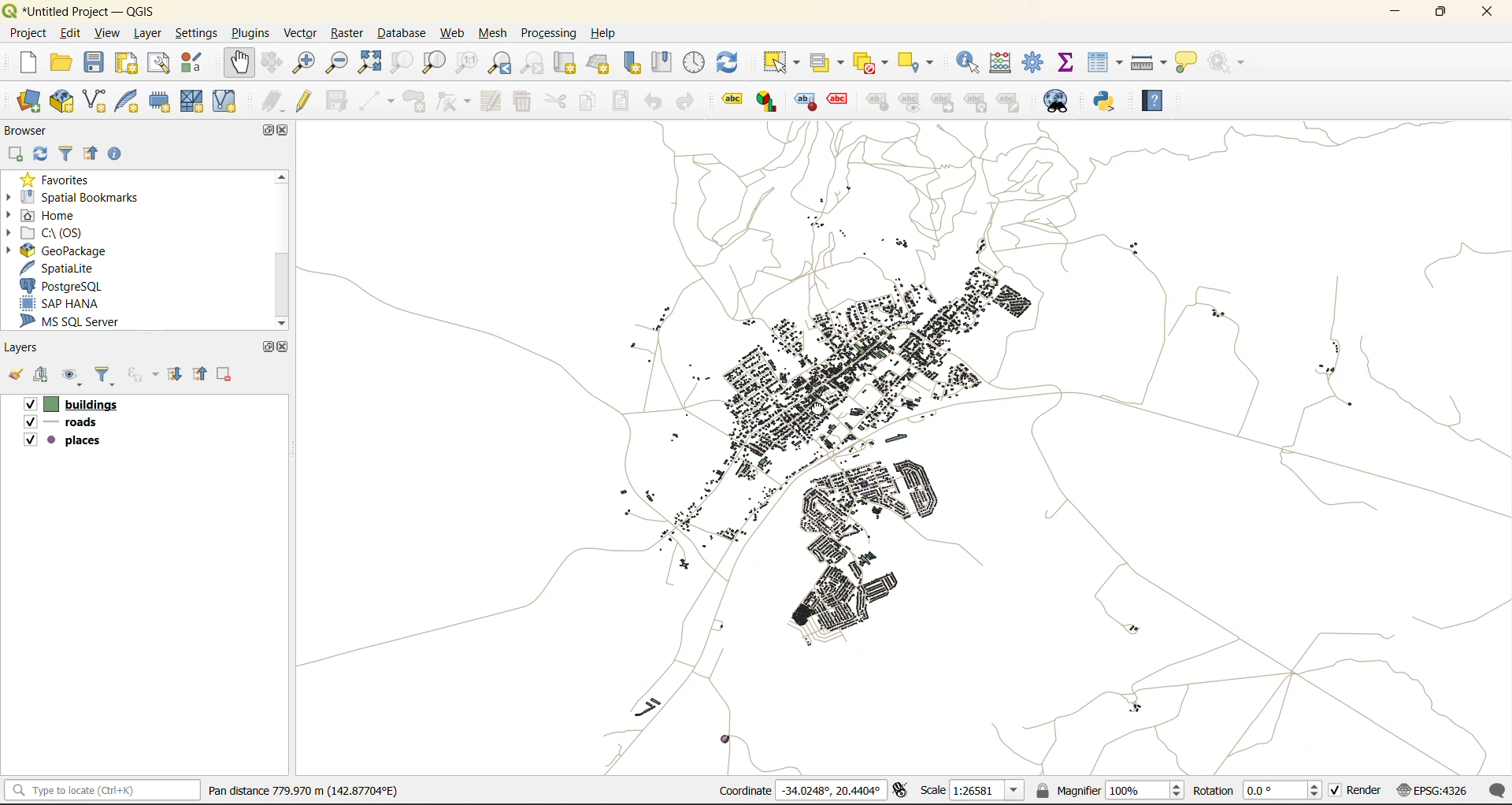  I want to click on pan to selection, so click(277, 61).